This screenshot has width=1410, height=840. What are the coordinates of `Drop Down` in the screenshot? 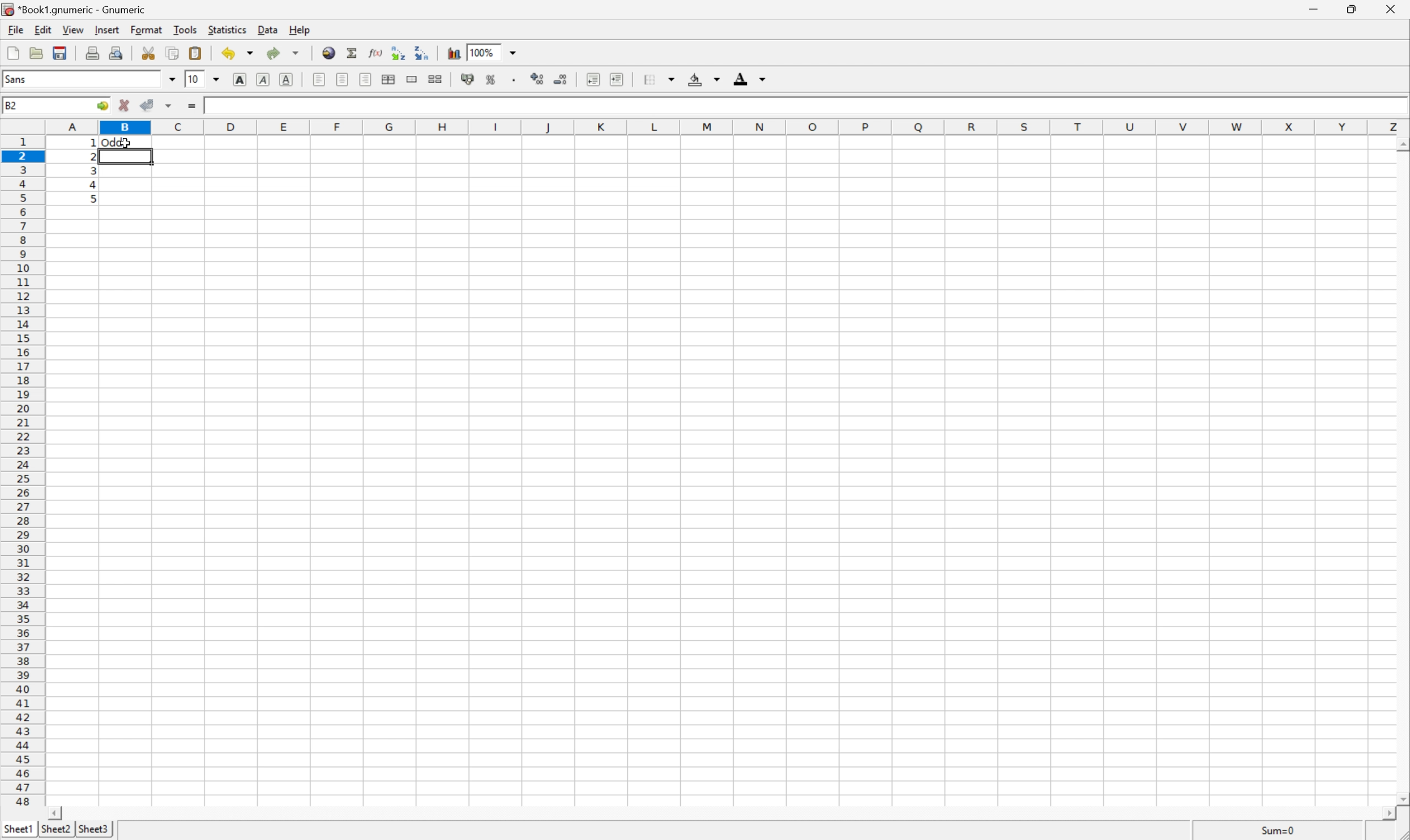 It's located at (512, 53).